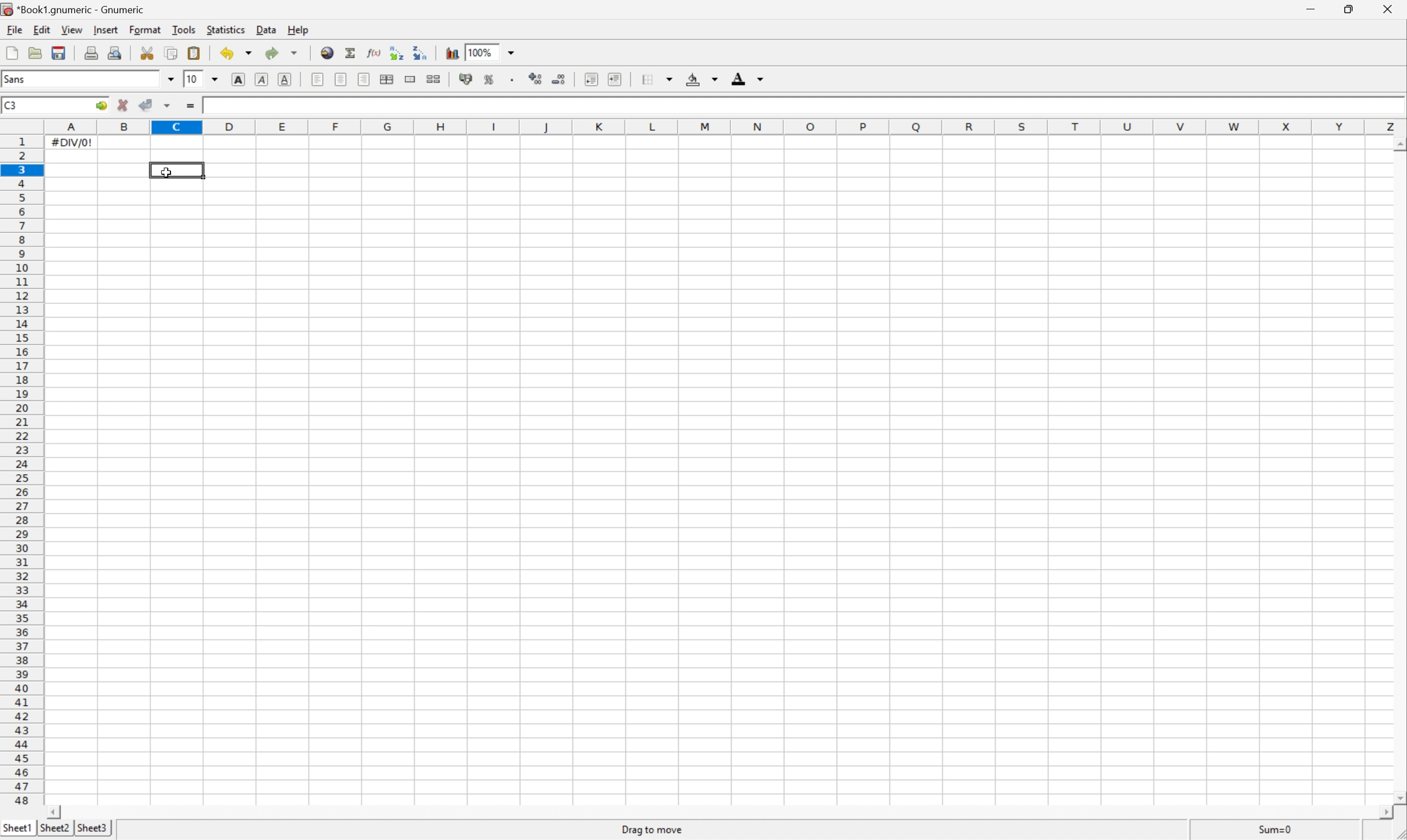 This screenshot has width=1407, height=840. I want to click on *Book1.gnumeric - Gnumeric, so click(75, 9).